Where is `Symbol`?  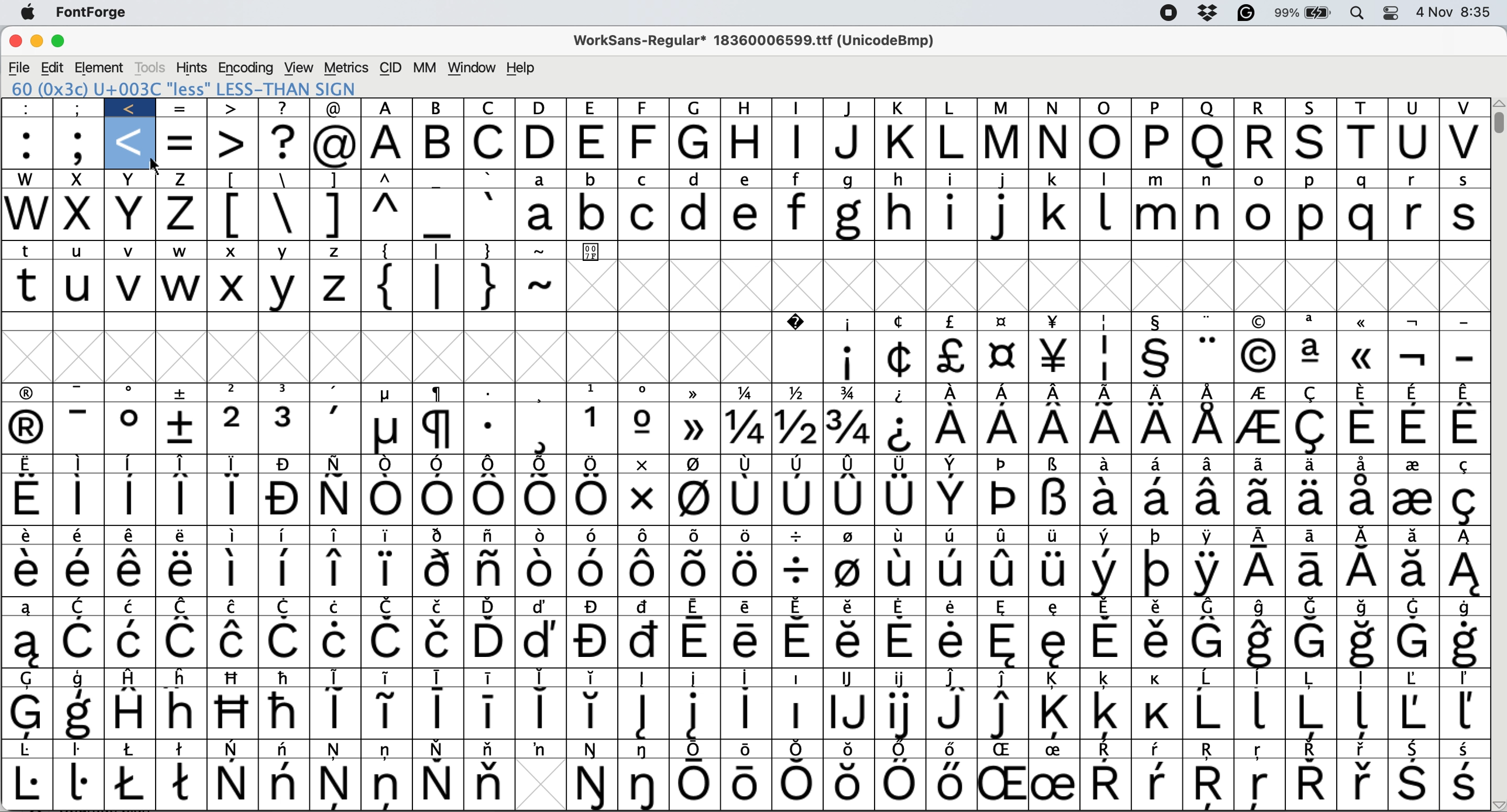 Symbol is located at coordinates (747, 429).